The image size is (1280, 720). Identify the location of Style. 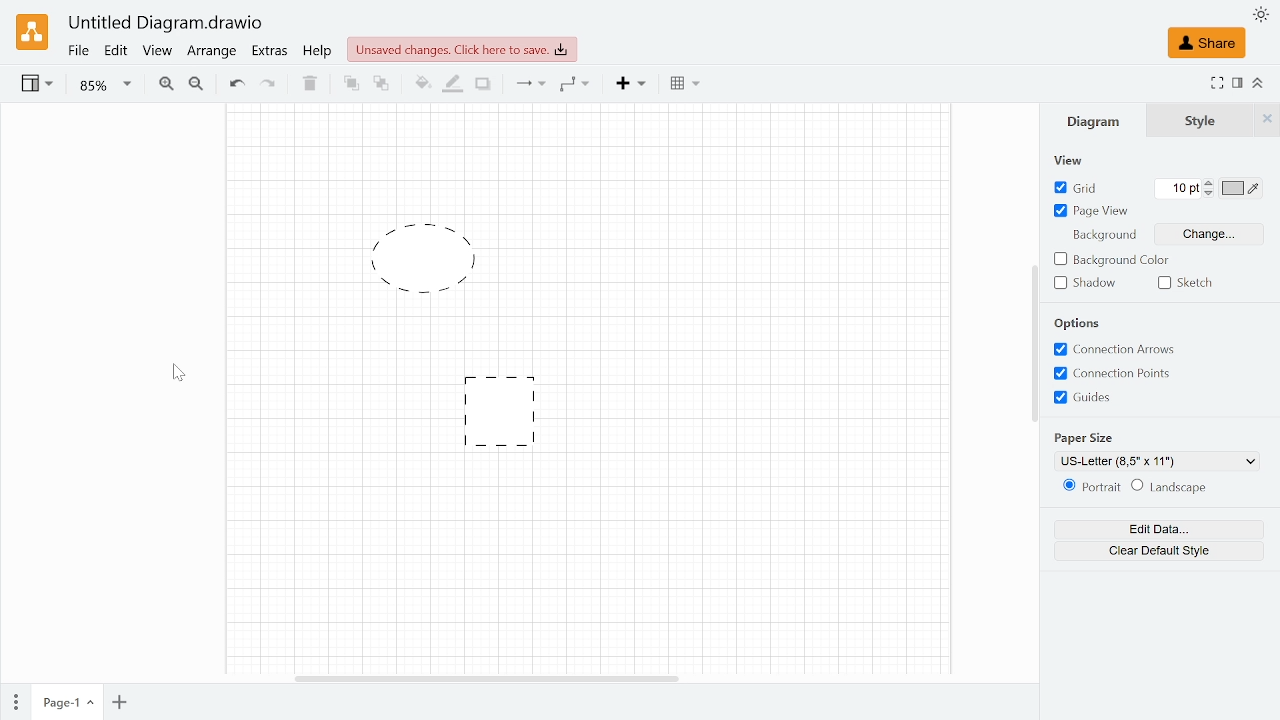
(1201, 121).